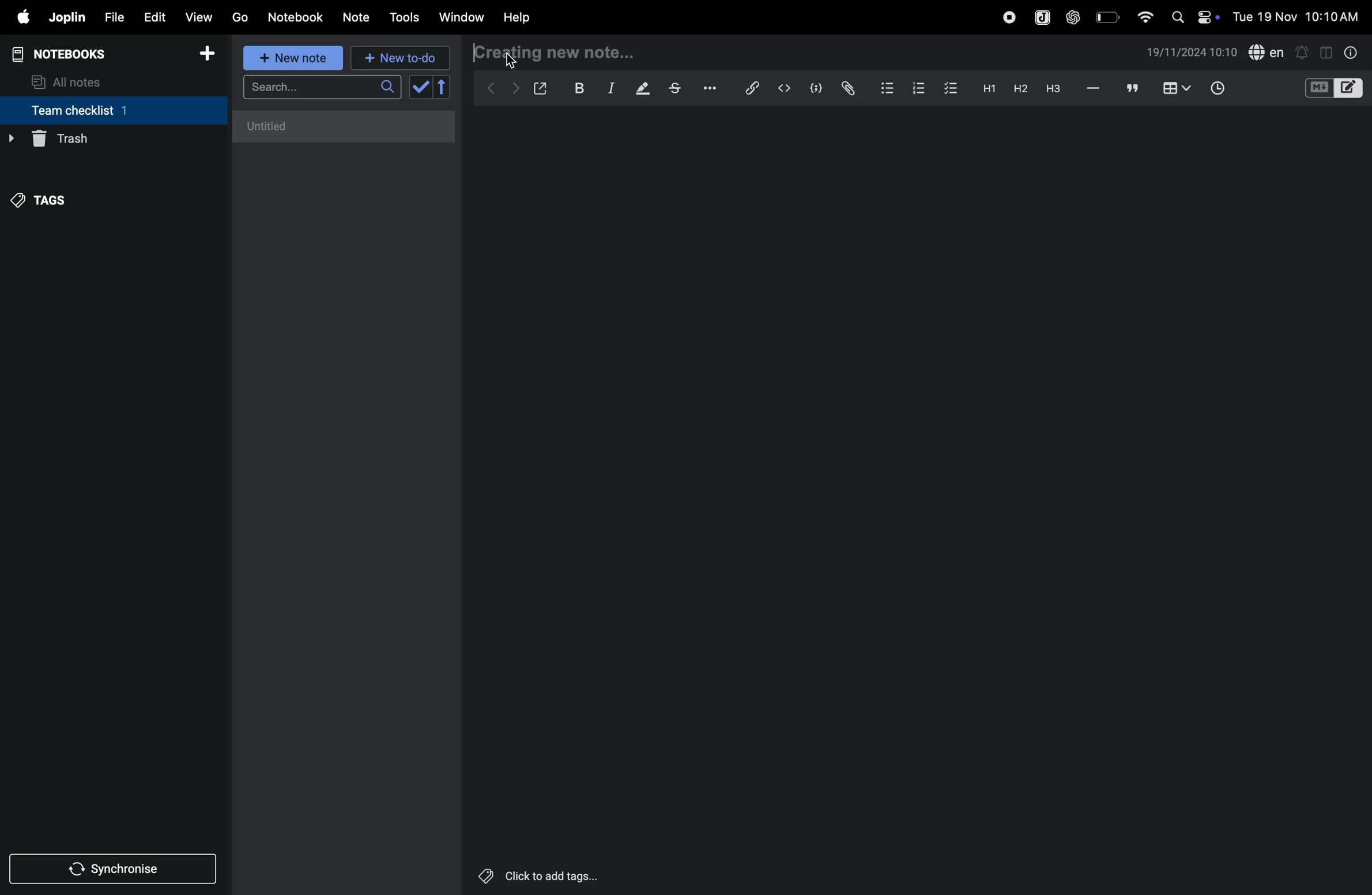  I want to click on view, so click(201, 16).